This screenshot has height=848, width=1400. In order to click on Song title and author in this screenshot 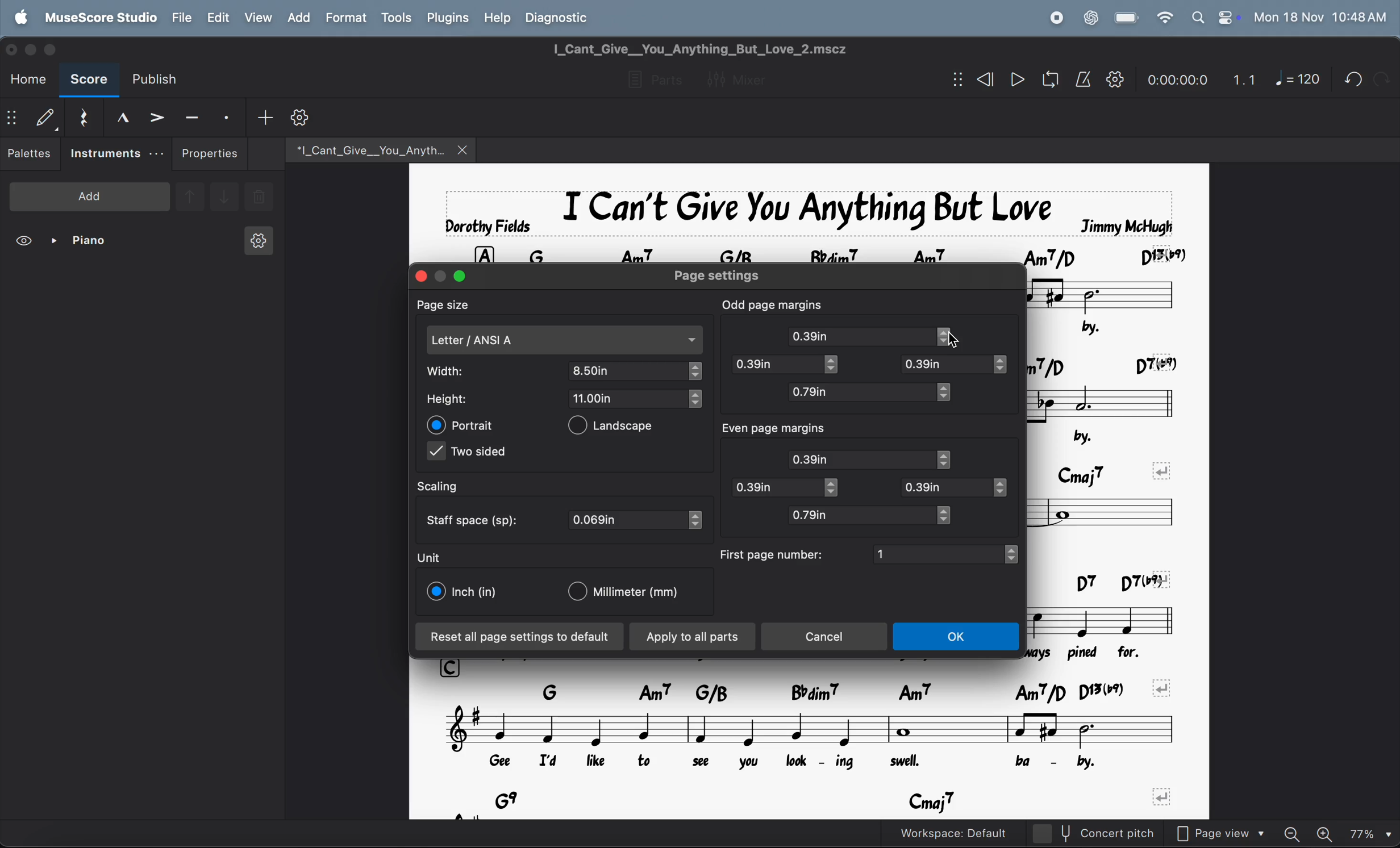, I will do `click(805, 212)`.